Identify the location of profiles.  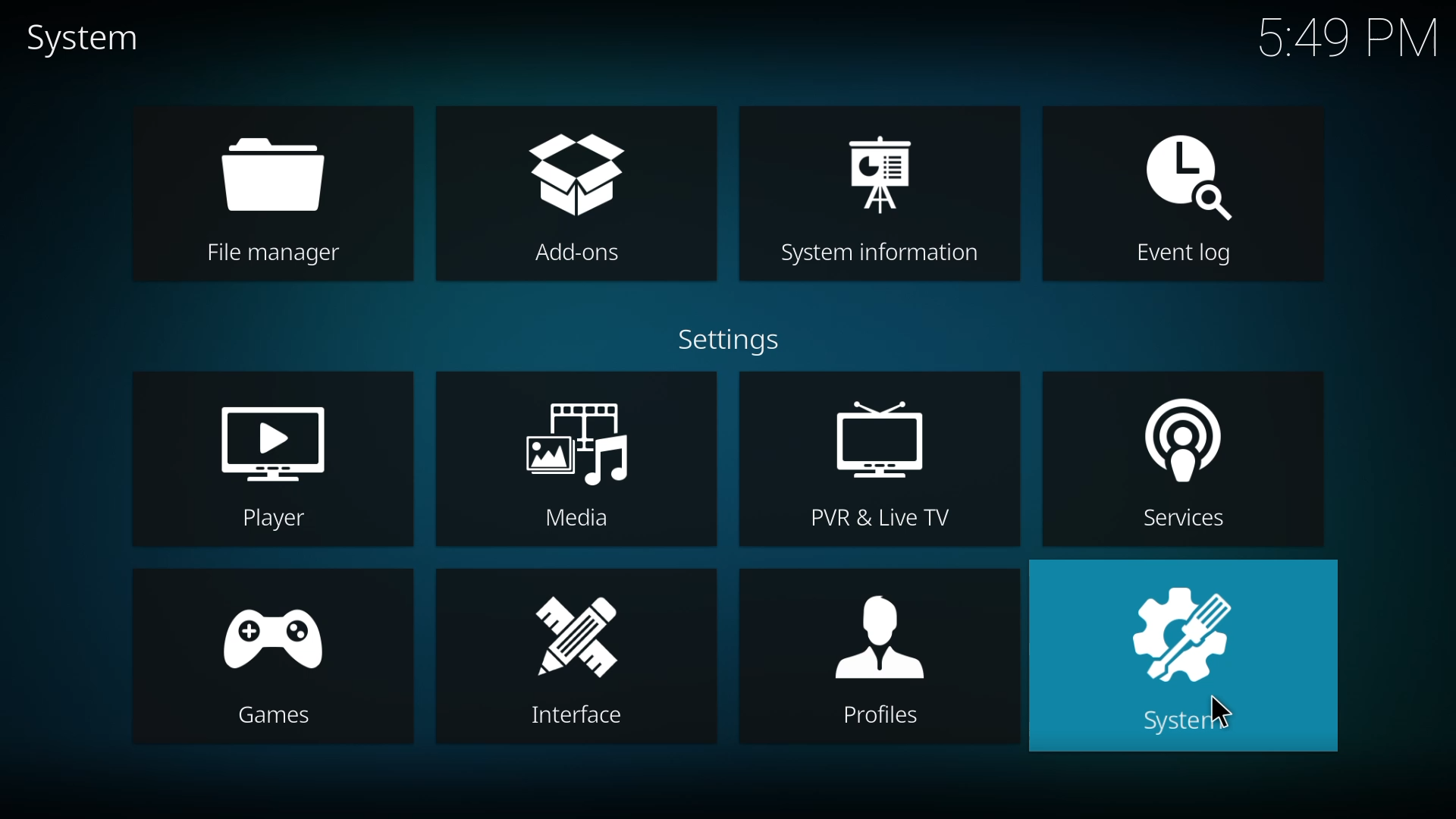
(878, 657).